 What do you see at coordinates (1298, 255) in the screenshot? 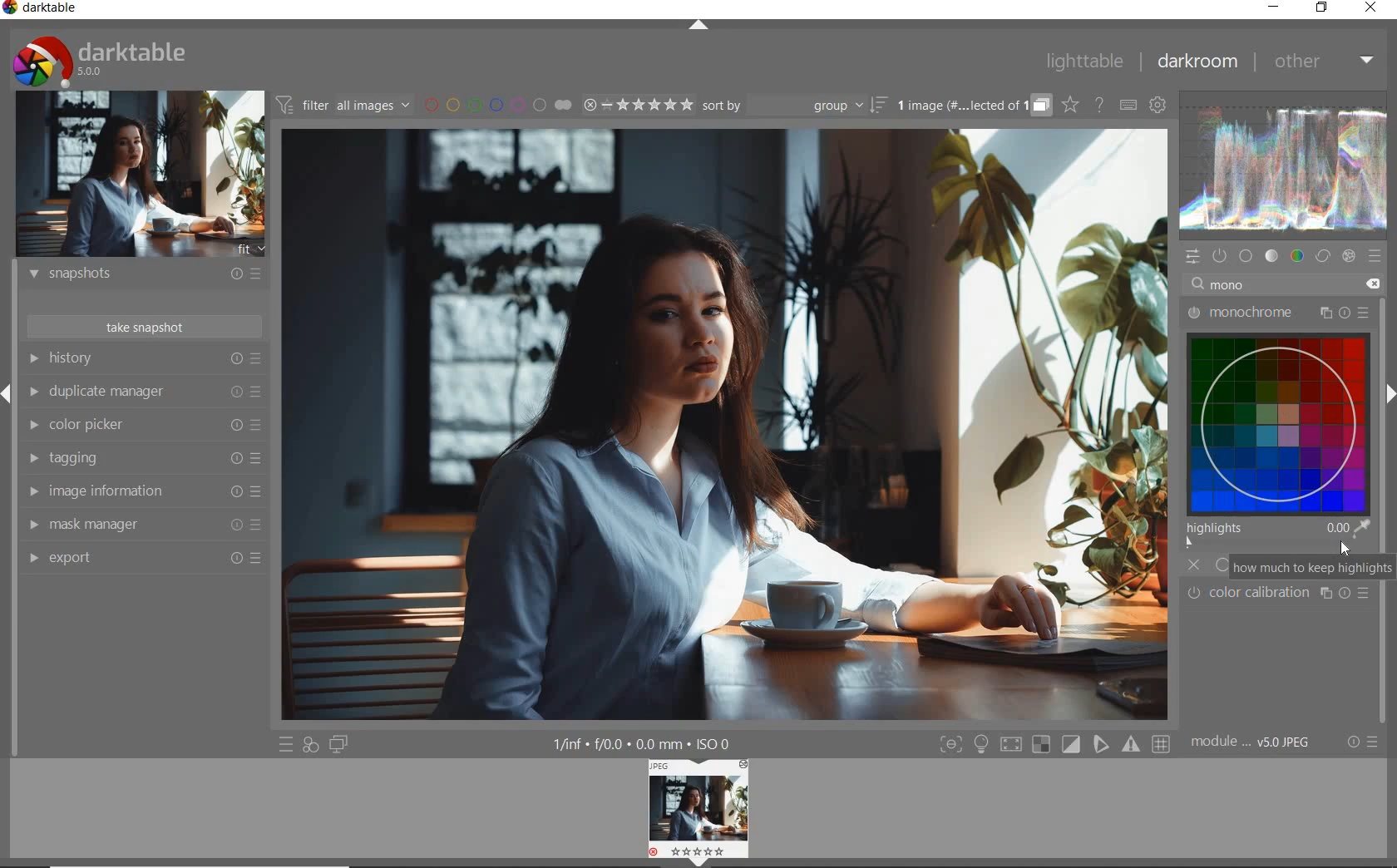
I see `color` at bounding box center [1298, 255].